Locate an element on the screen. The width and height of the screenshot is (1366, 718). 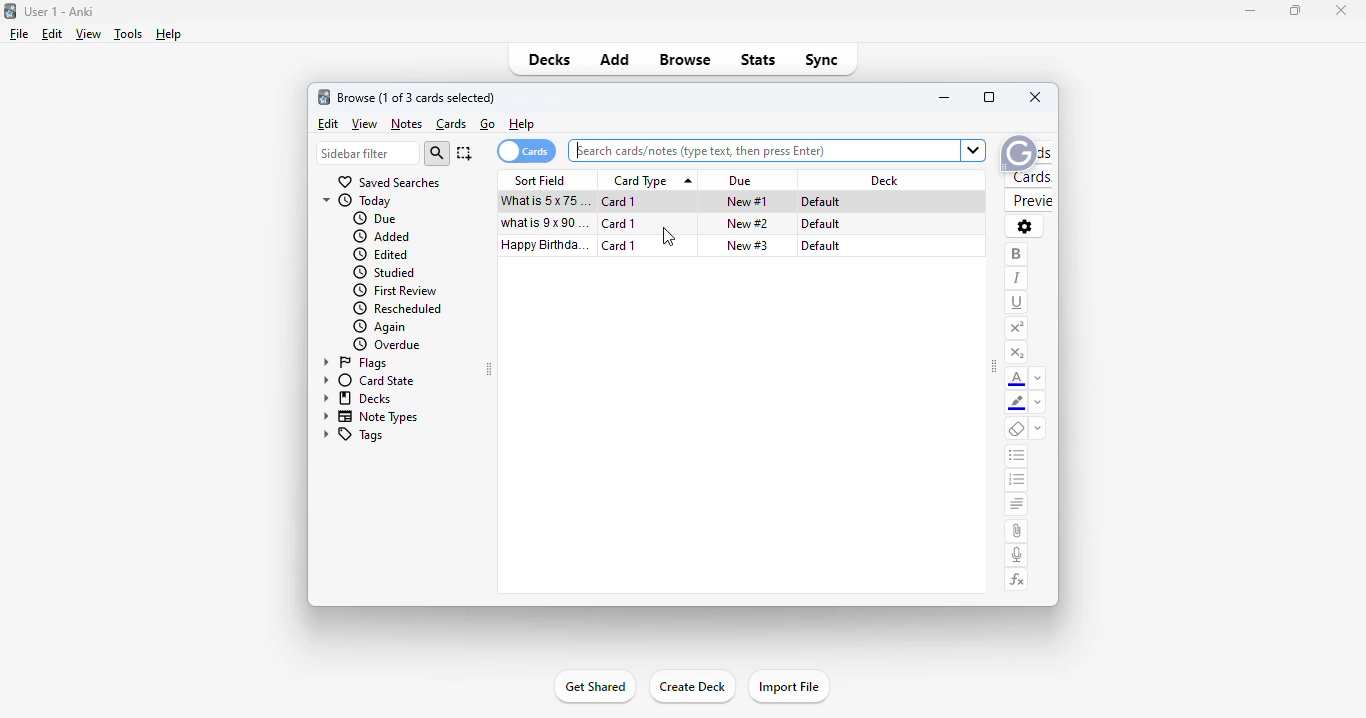
view is located at coordinates (365, 125).